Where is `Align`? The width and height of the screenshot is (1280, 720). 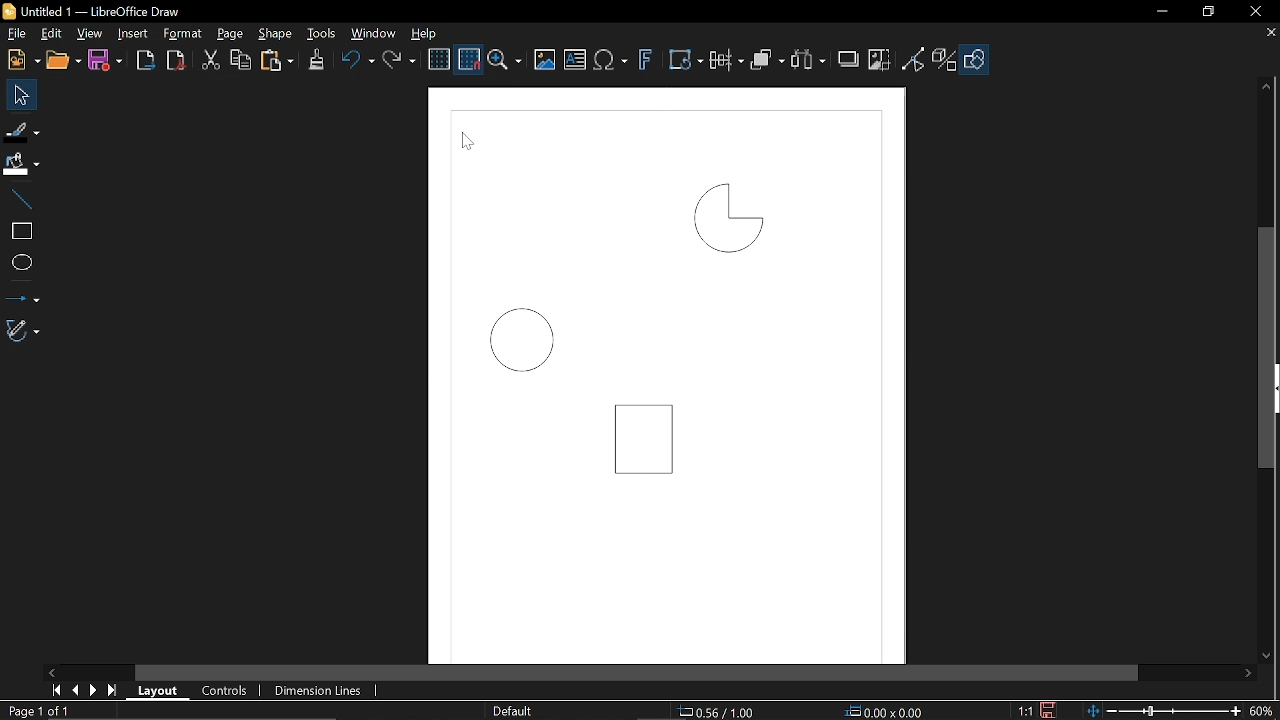
Align is located at coordinates (726, 63).